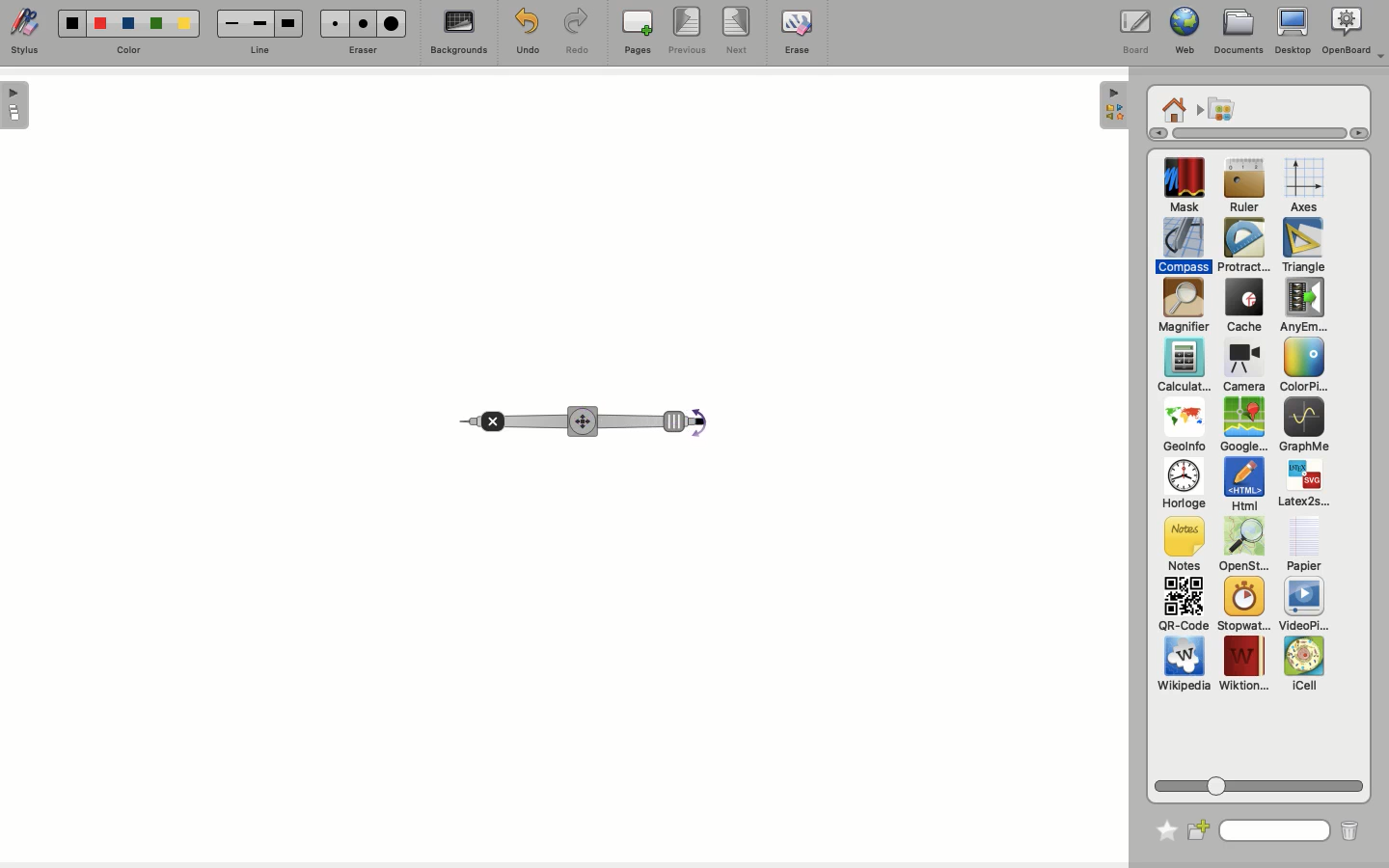 The image size is (1389, 868). I want to click on Wikipedia, so click(1184, 667).